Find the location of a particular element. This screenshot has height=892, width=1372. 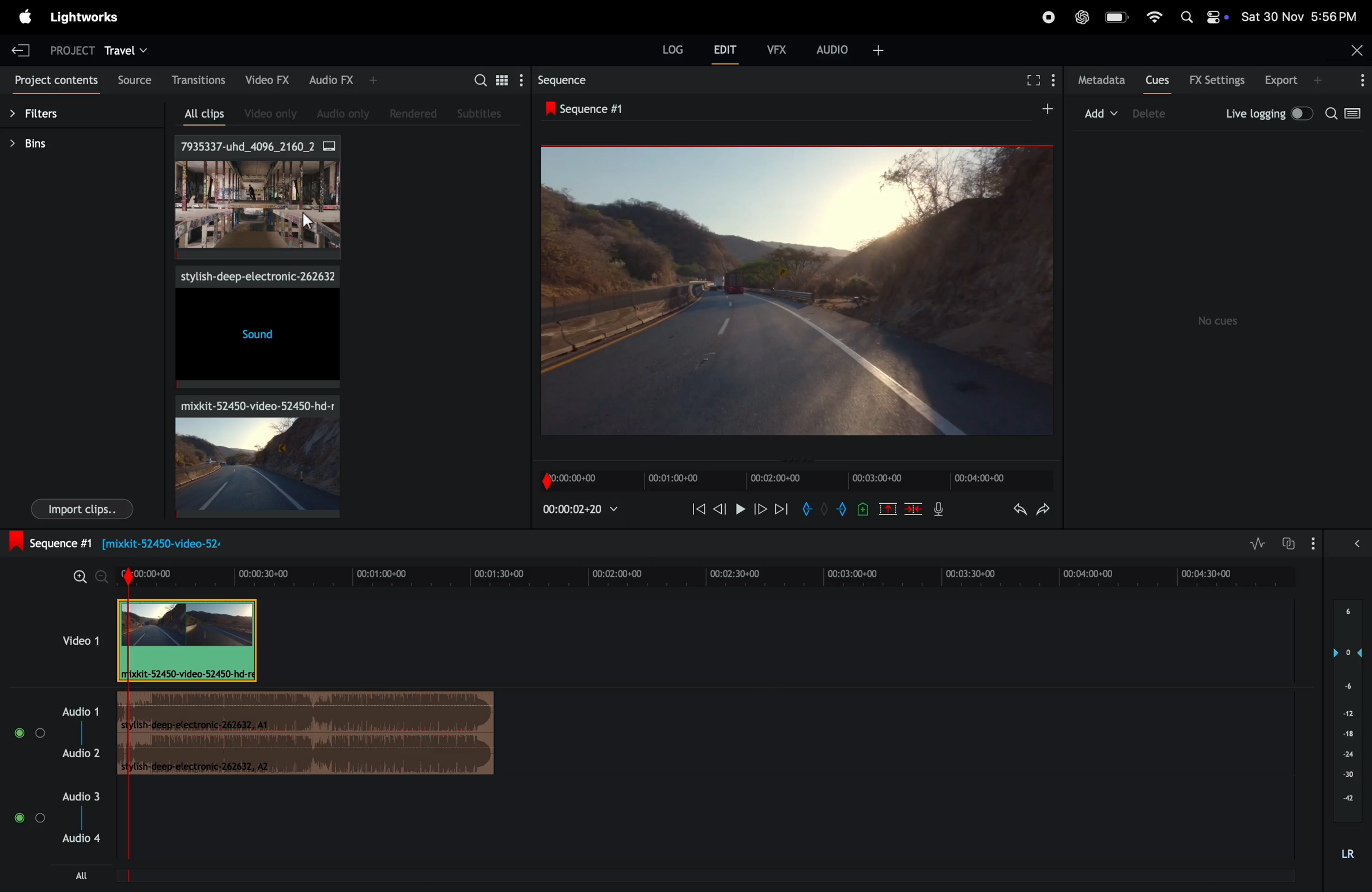

chatgpt is located at coordinates (1081, 18).